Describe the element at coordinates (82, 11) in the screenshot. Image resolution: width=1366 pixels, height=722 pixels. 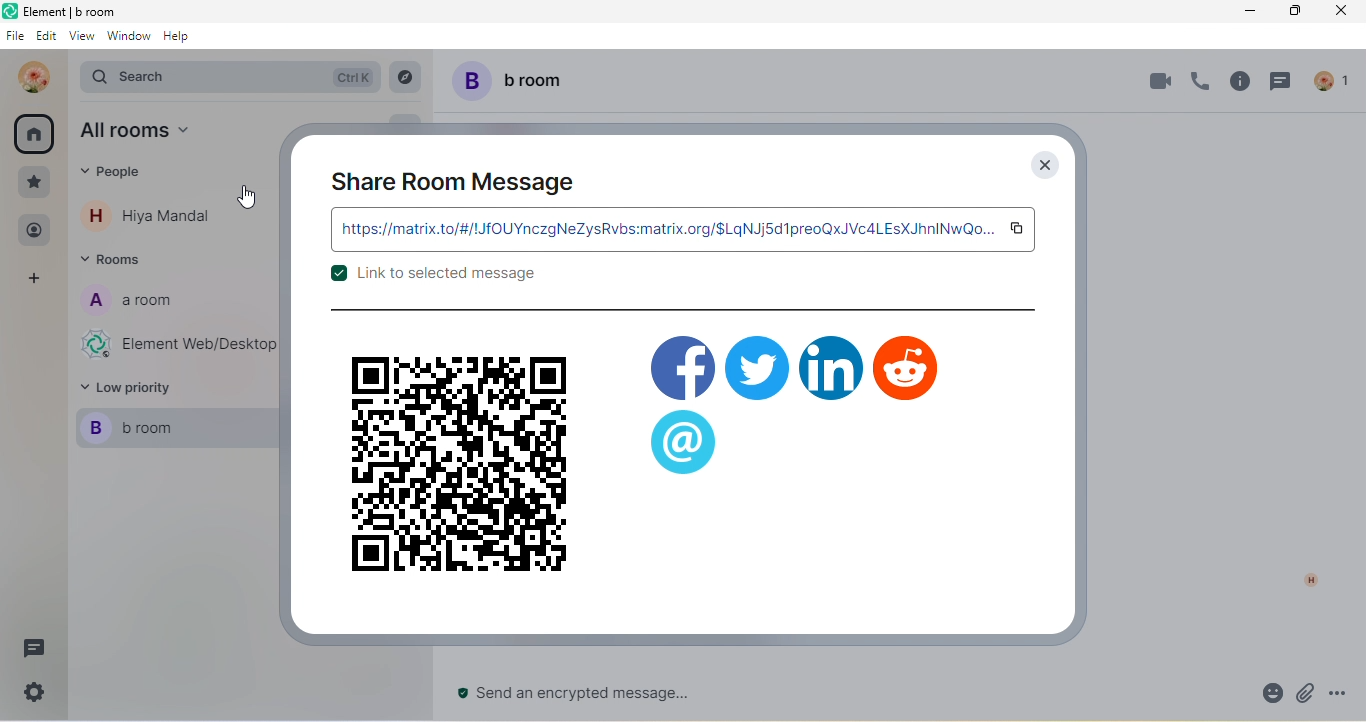
I see `Element | b room` at that location.